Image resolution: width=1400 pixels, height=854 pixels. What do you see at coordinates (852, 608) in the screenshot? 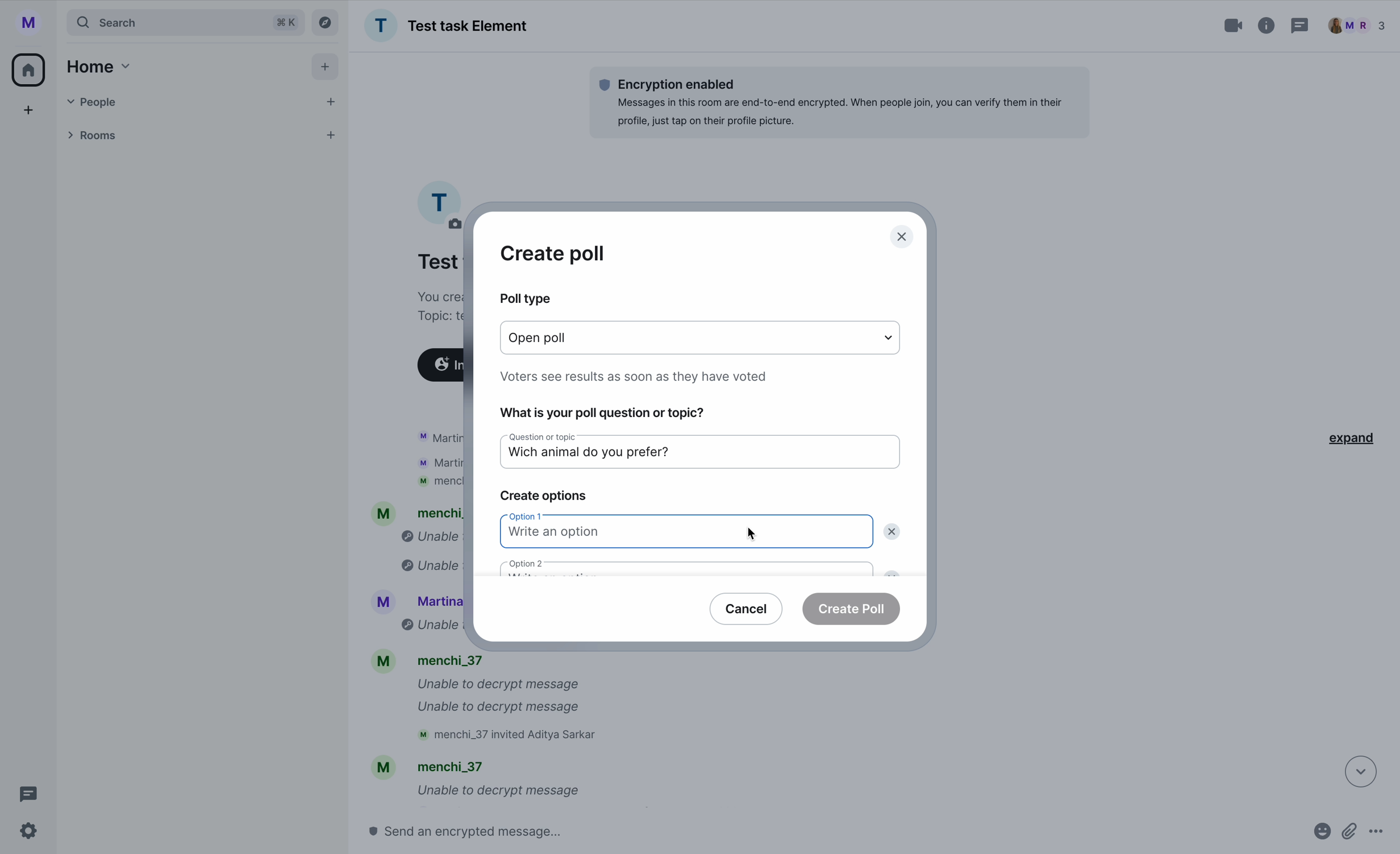
I see `create poll button` at bounding box center [852, 608].